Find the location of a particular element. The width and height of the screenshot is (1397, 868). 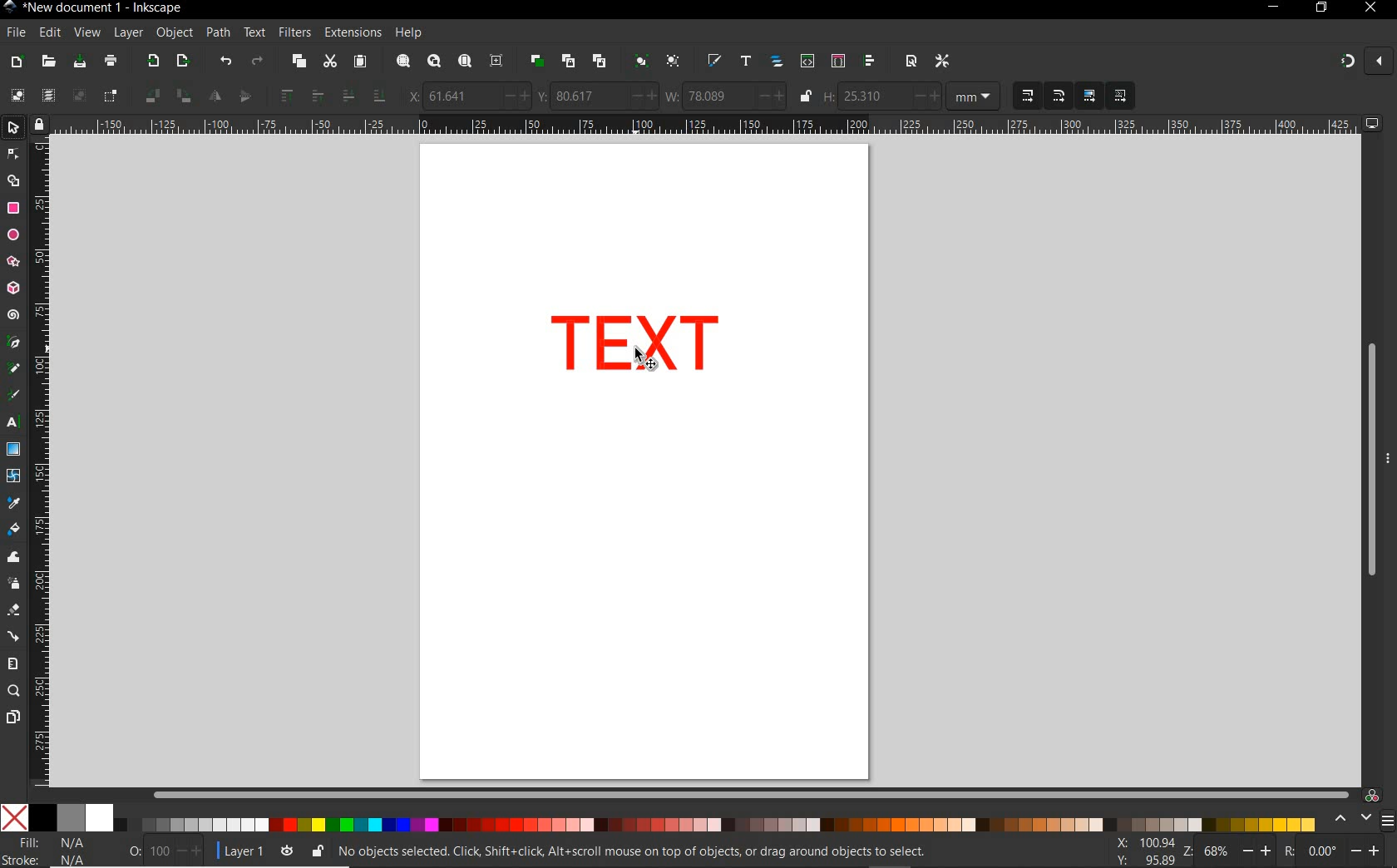

save is located at coordinates (80, 62).